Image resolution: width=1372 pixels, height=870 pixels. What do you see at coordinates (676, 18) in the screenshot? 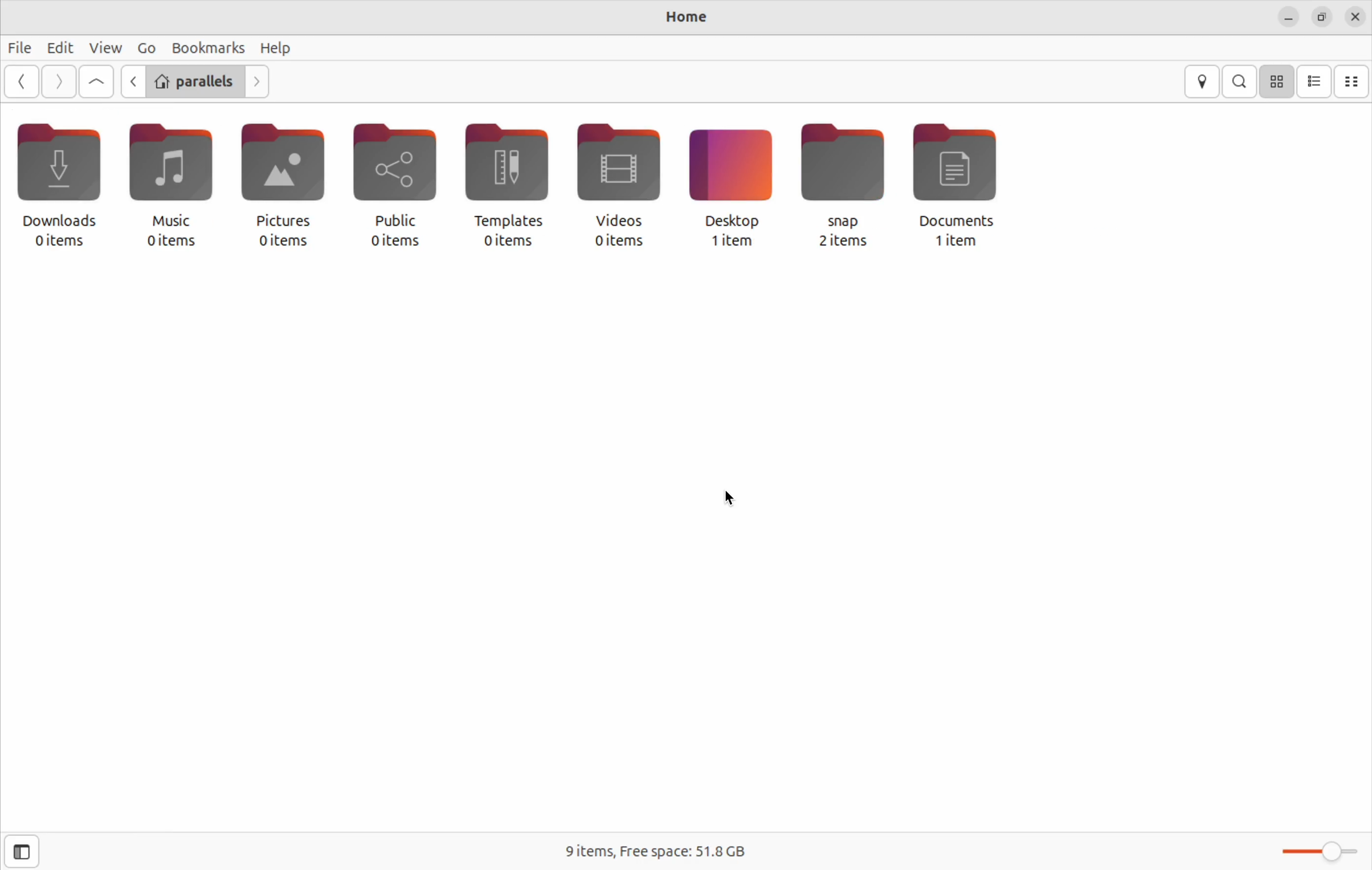
I see `home` at bounding box center [676, 18].